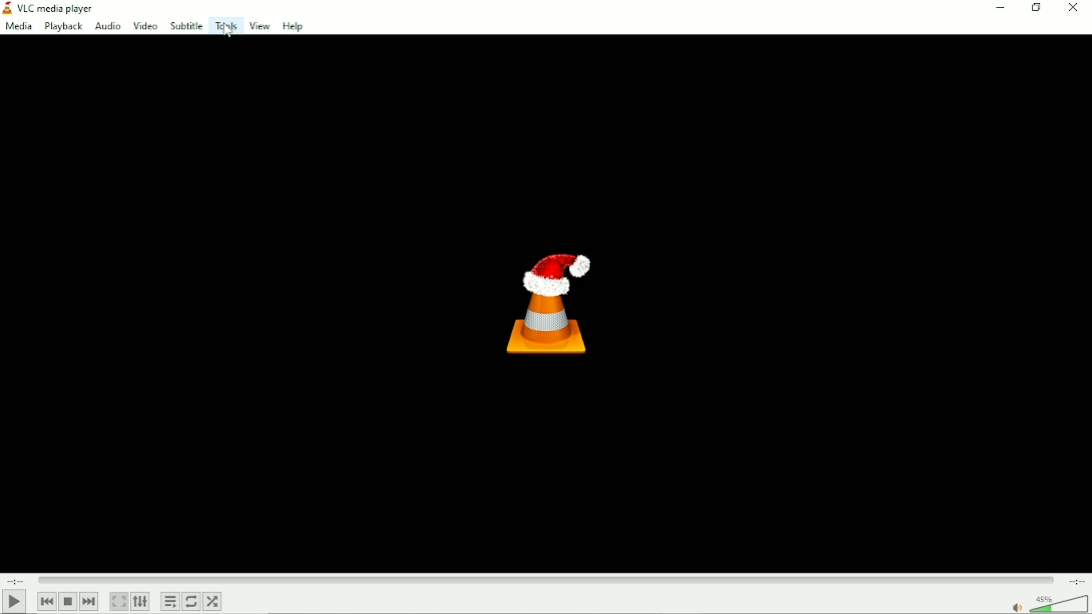 The width and height of the screenshot is (1092, 614). Describe the element at coordinates (62, 27) in the screenshot. I see `Playback` at that location.